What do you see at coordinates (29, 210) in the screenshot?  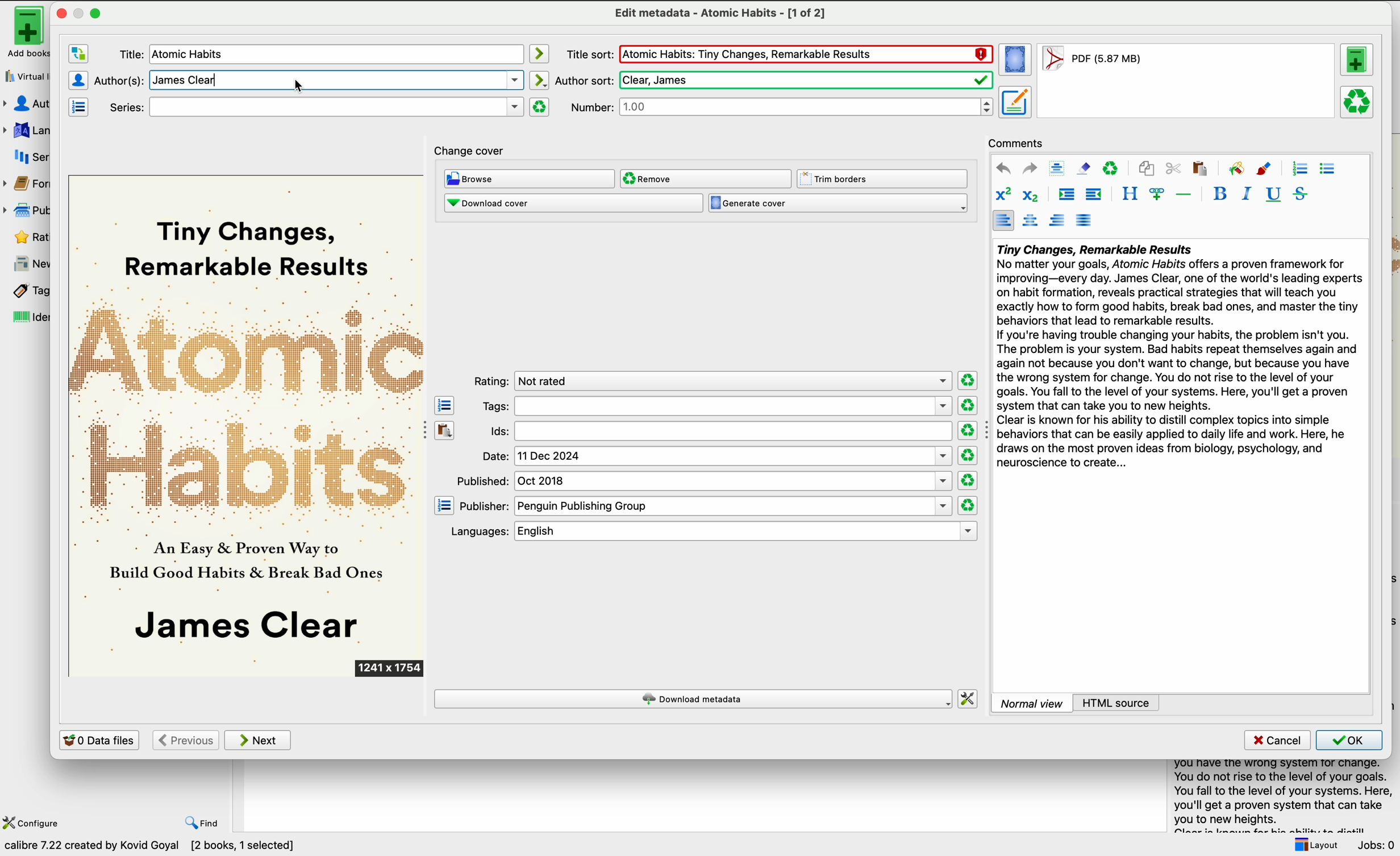 I see `publisher` at bounding box center [29, 210].